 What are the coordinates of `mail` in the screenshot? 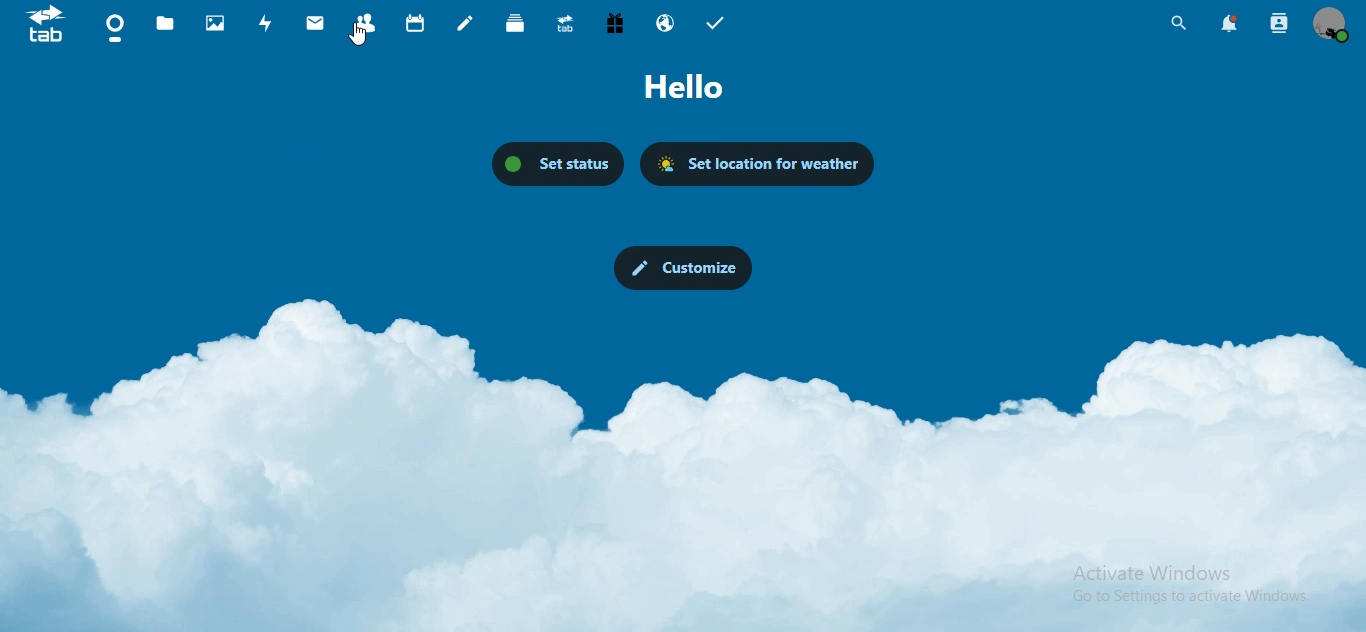 It's located at (317, 23).